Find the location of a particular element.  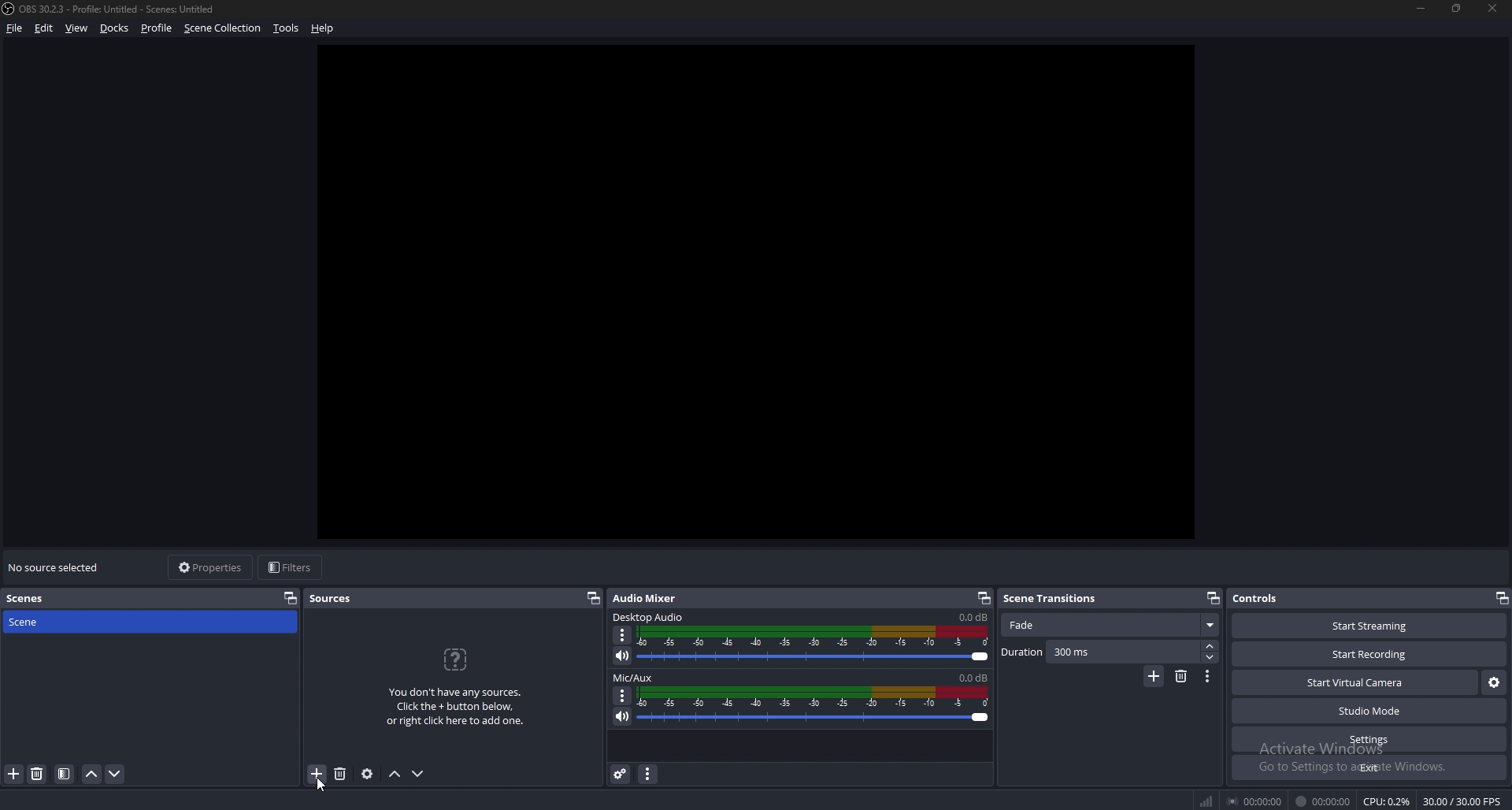

Scene transitions is located at coordinates (1058, 599).